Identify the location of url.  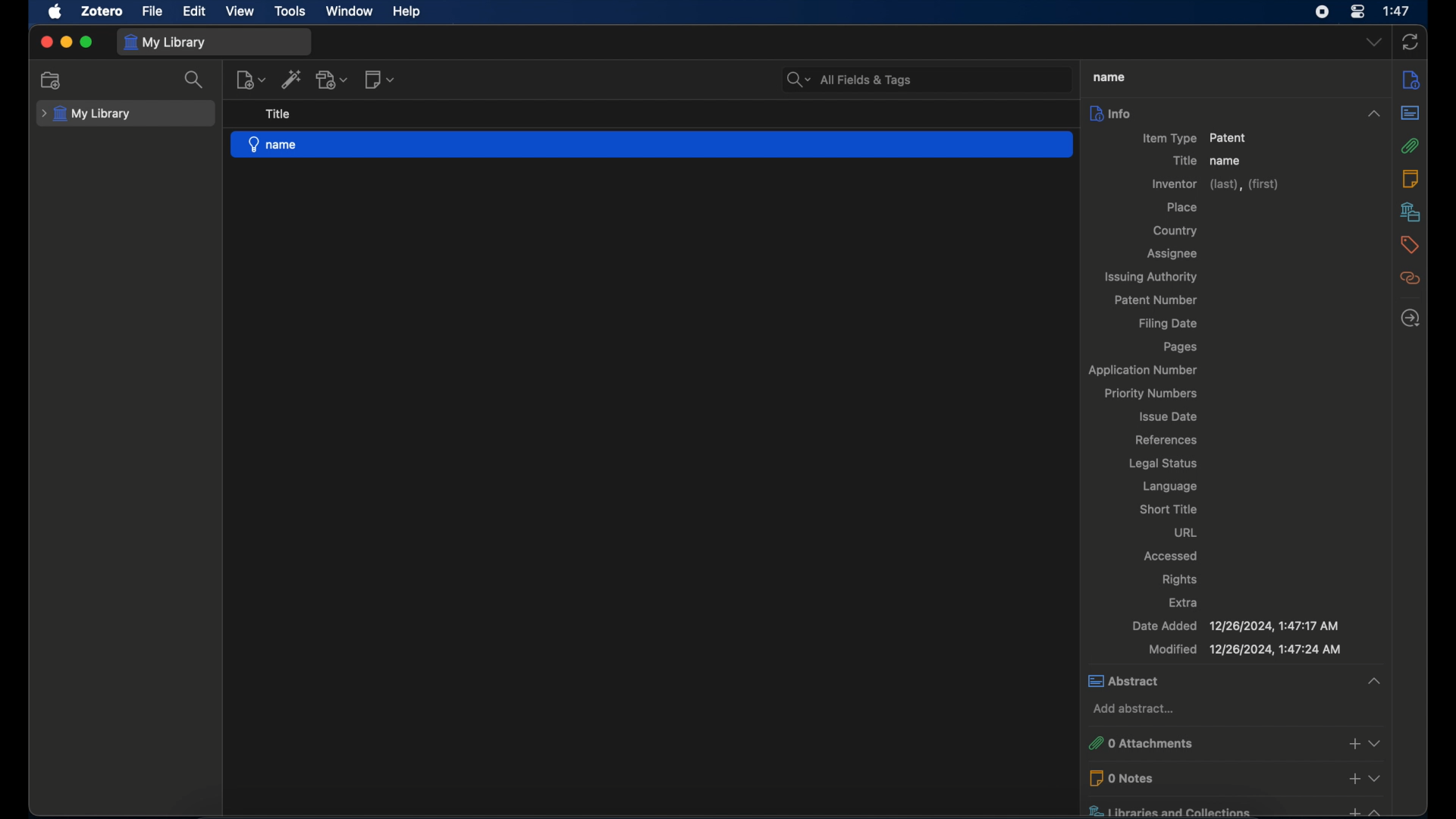
(1186, 532).